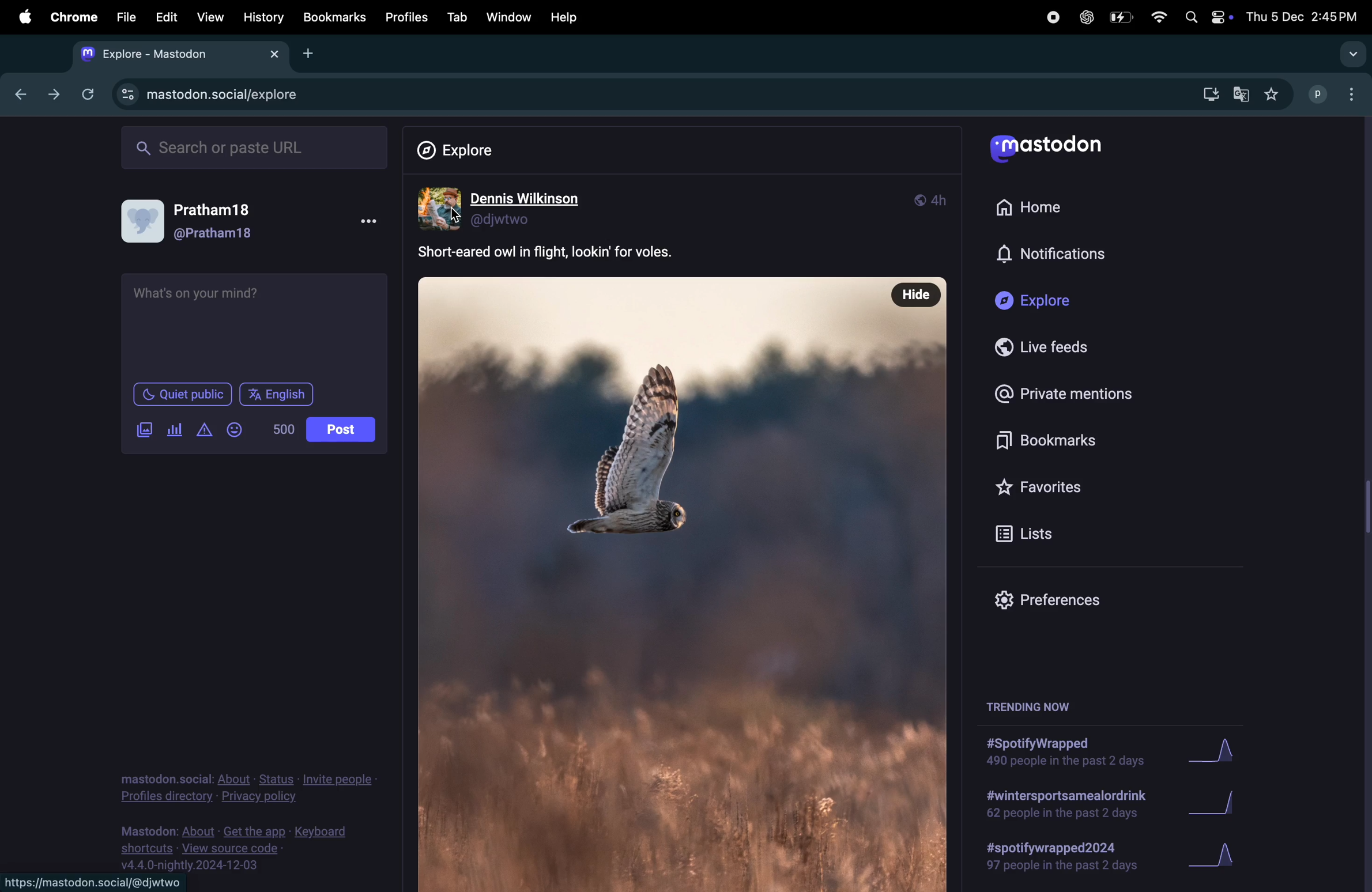 Image resolution: width=1372 pixels, height=892 pixels. Describe the element at coordinates (1046, 149) in the screenshot. I see `mastodon` at that location.